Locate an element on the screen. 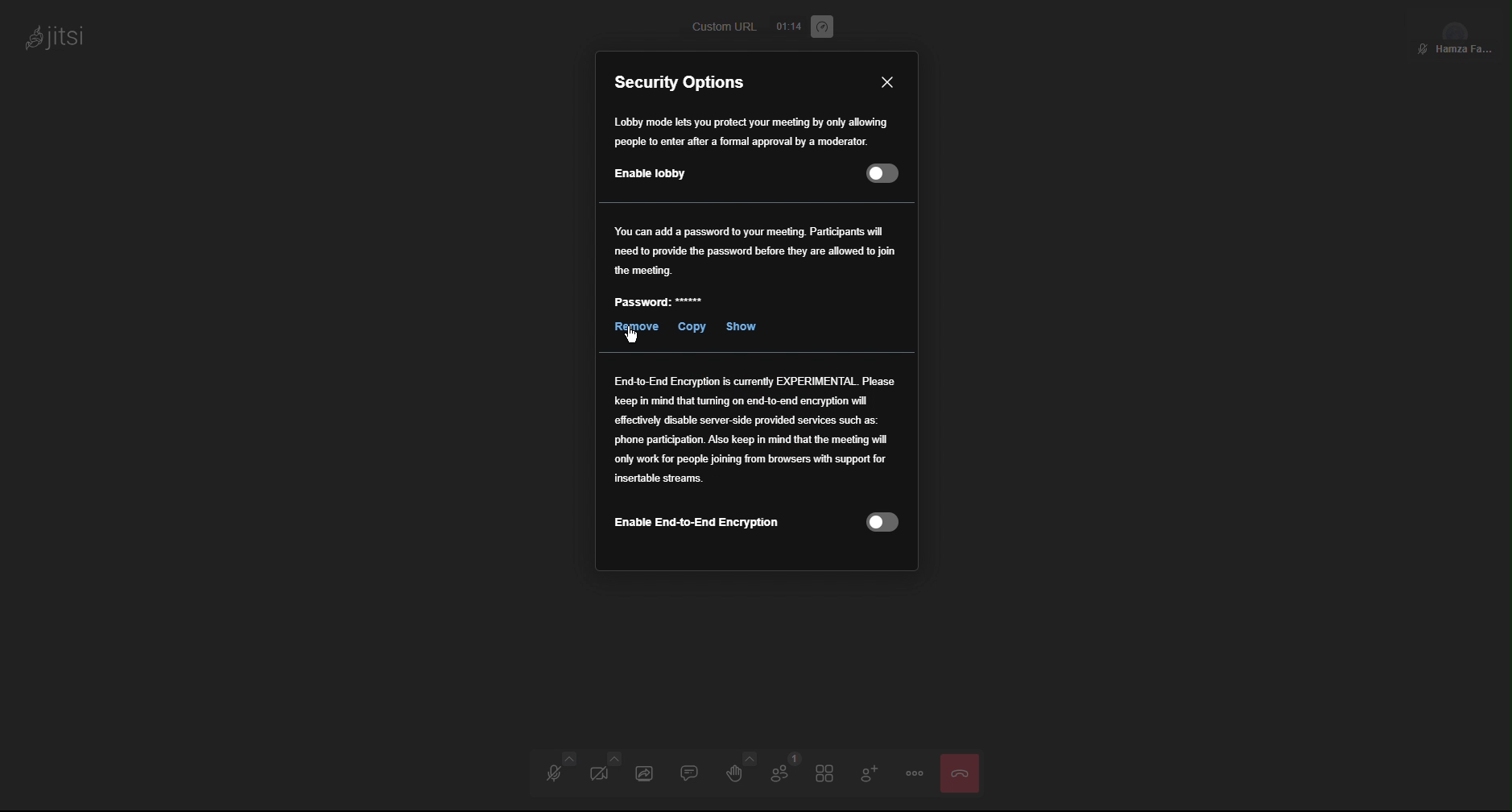  Options is located at coordinates (911, 774).